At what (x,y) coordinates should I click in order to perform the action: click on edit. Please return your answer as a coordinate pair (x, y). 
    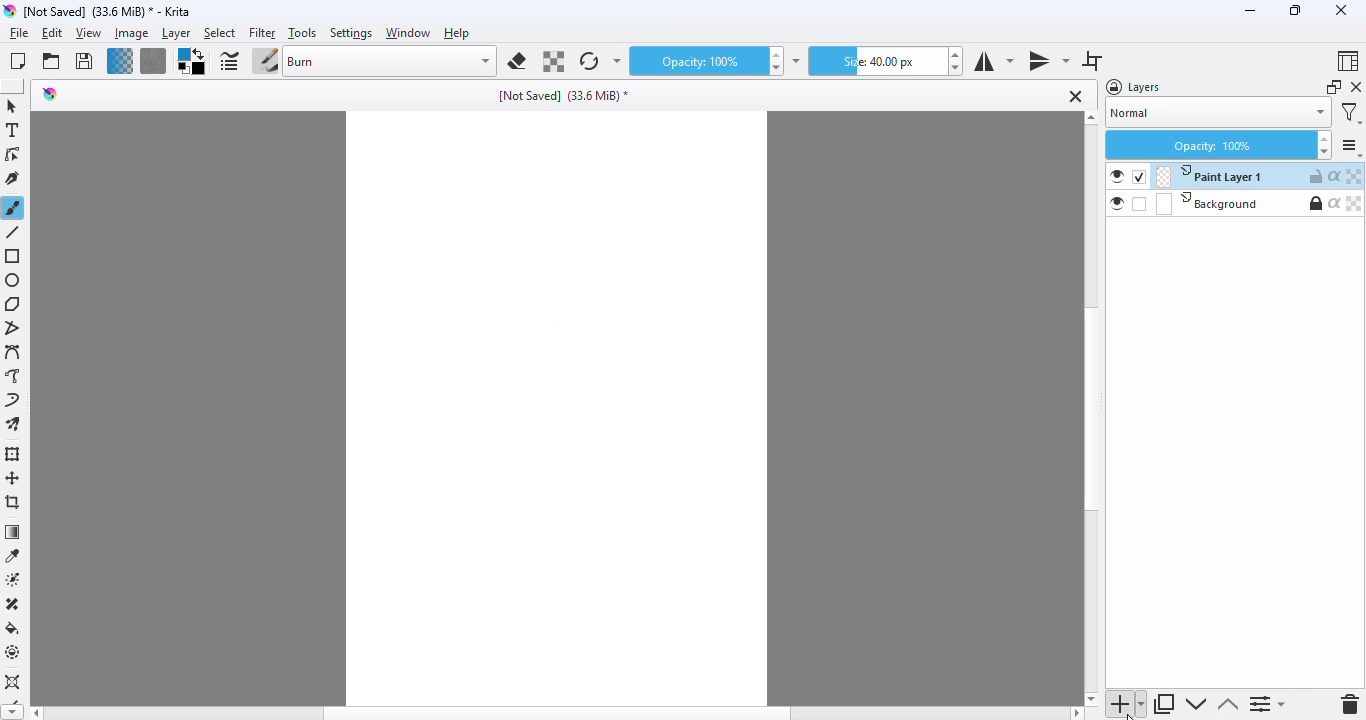
    Looking at the image, I should click on (53, 34).